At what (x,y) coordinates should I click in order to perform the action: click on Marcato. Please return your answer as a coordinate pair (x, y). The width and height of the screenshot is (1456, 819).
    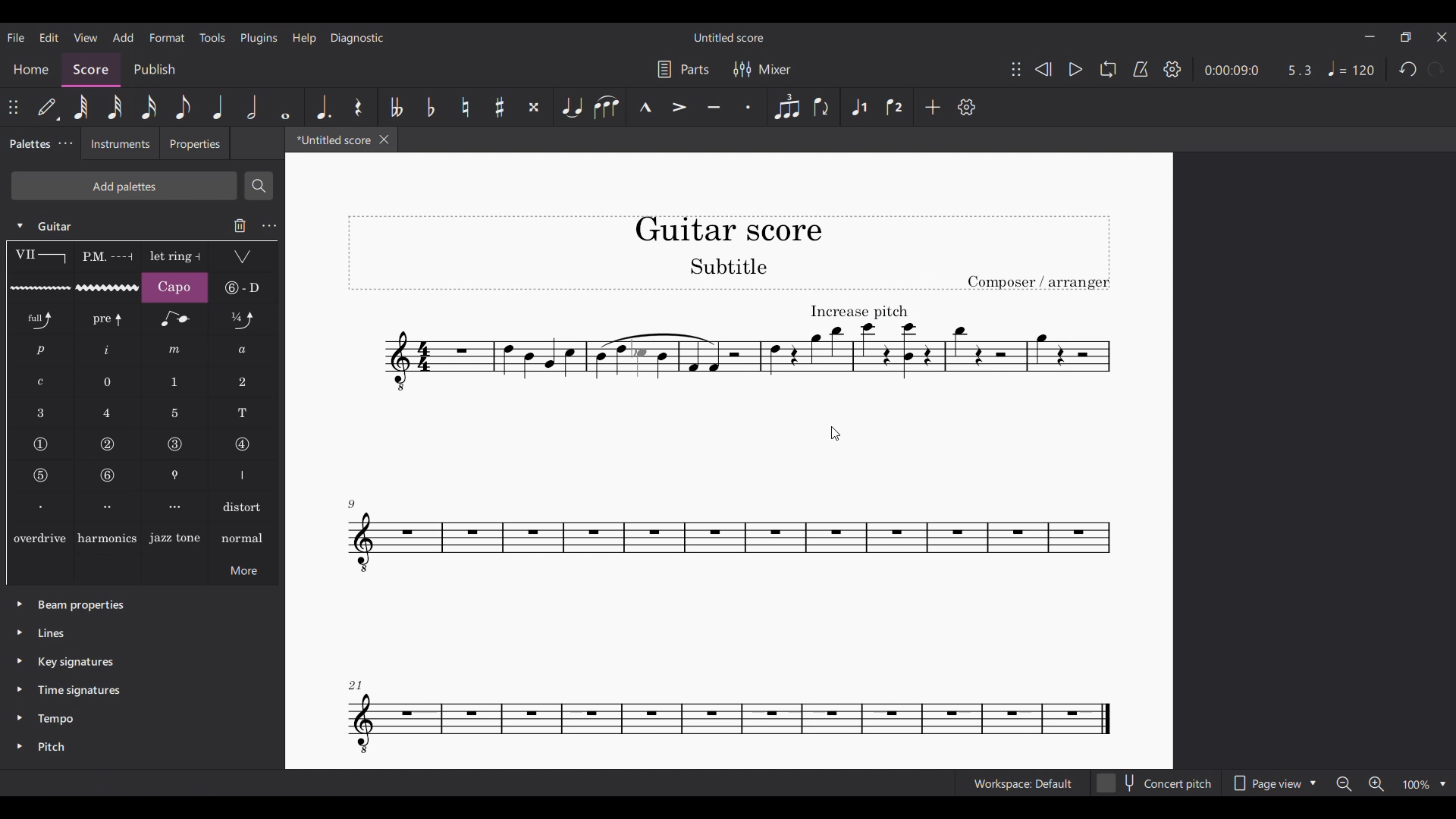
    Looking at the image, I should click on (644, 108).